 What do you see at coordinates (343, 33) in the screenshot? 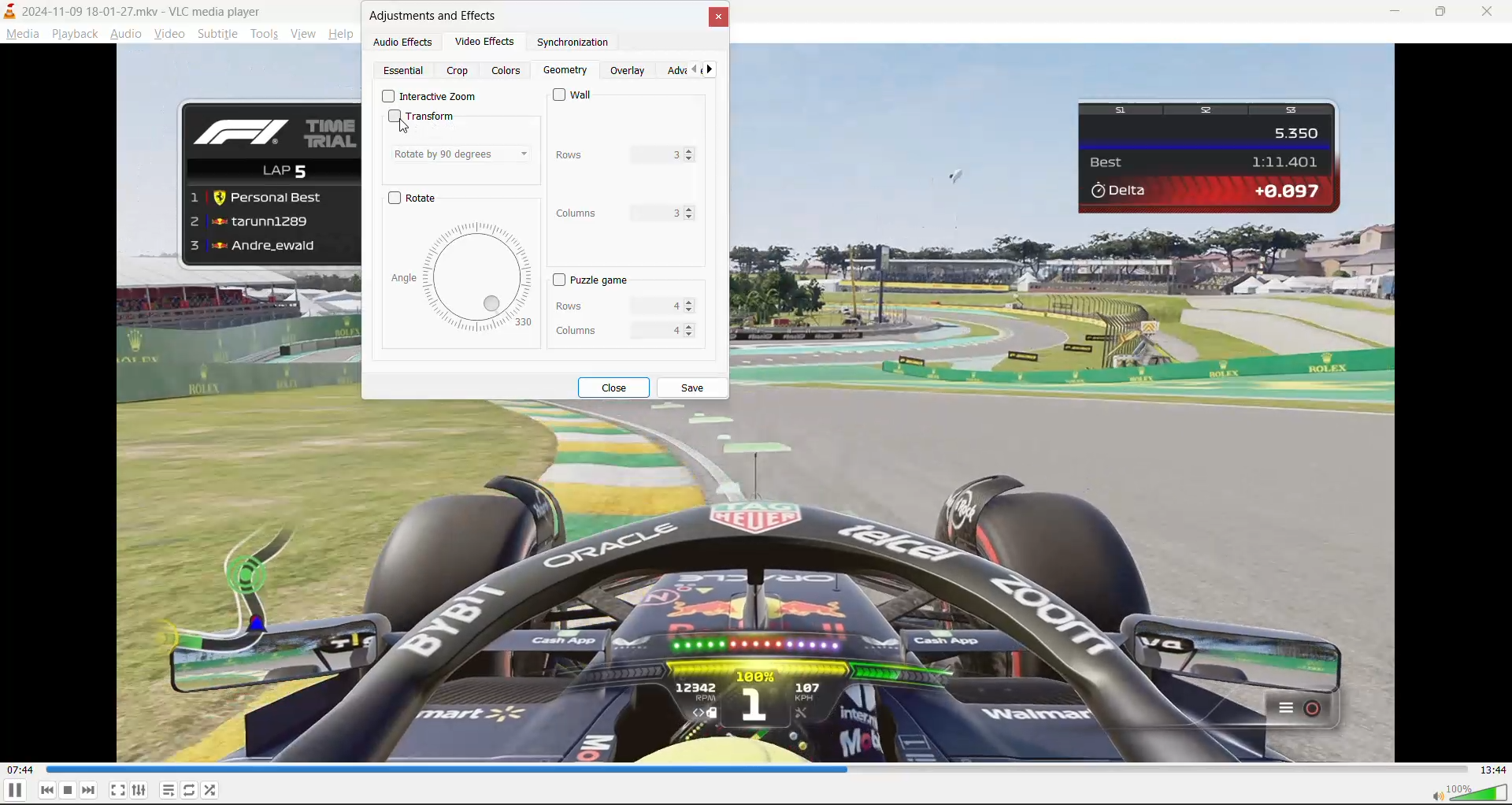
I see `help` at bounding box center [343, 33].